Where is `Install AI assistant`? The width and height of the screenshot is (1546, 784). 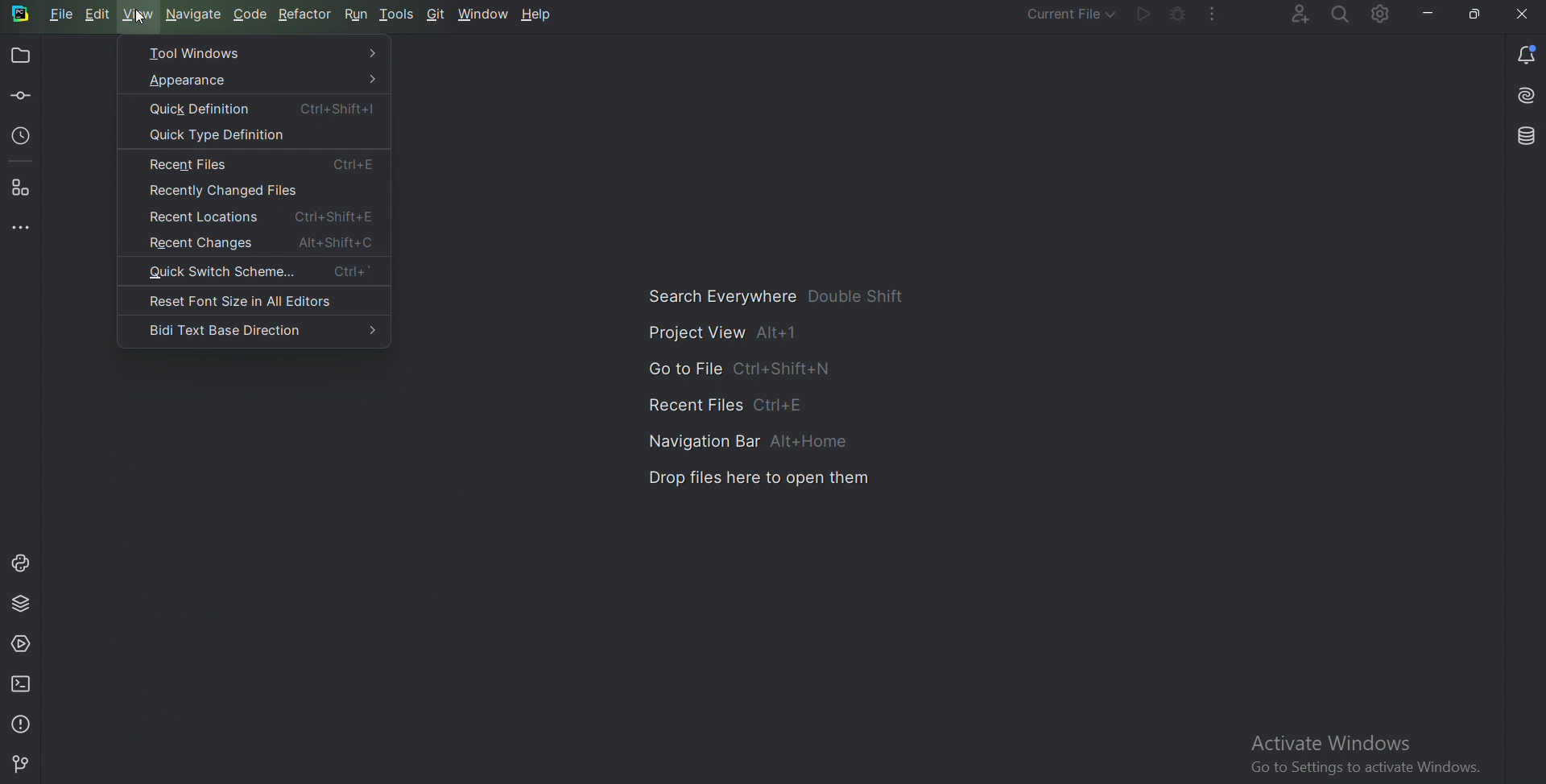 Install AI assistant is located at coordinates (1519, 95).